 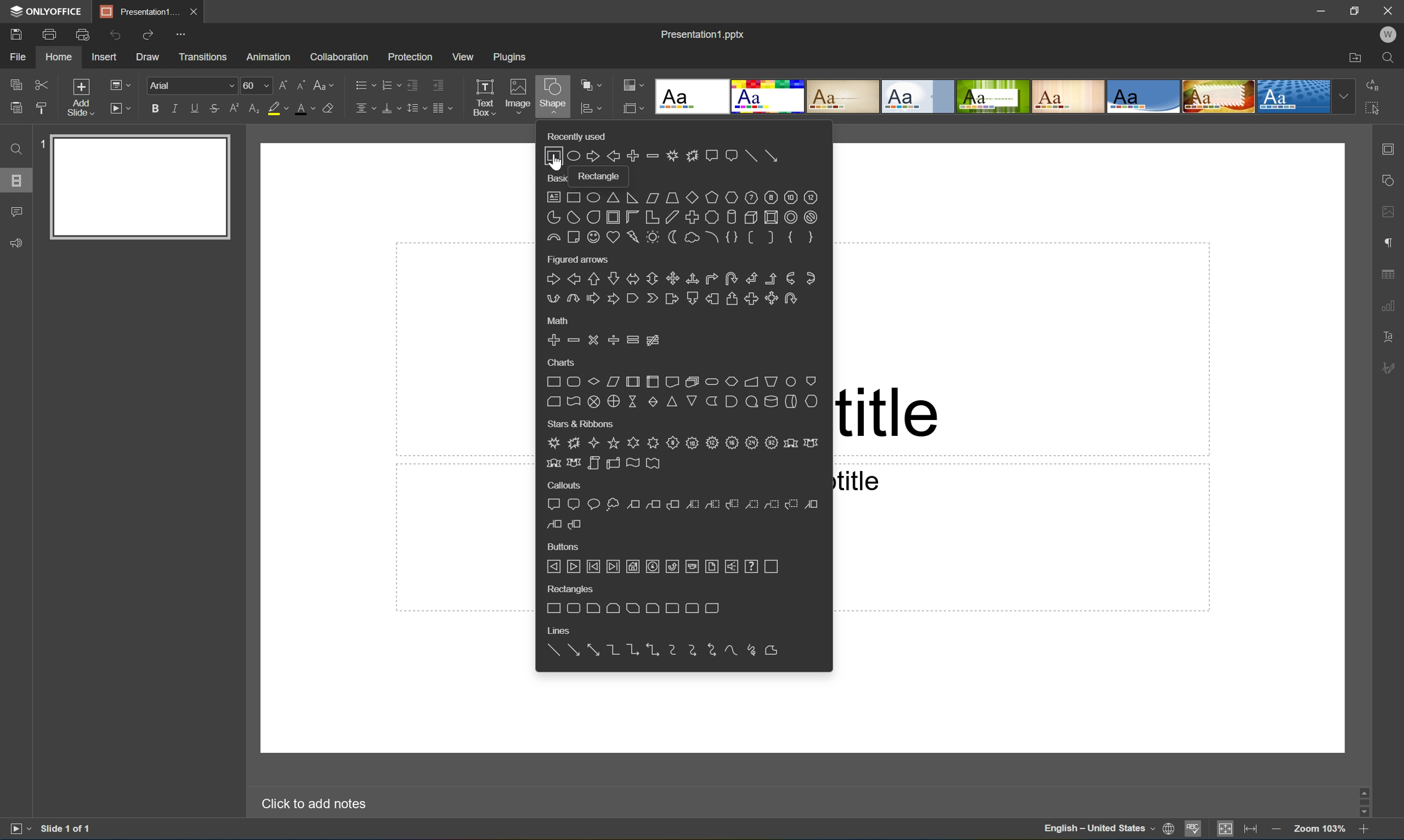 I want to click on Plugins, so click(x=508, y=57).